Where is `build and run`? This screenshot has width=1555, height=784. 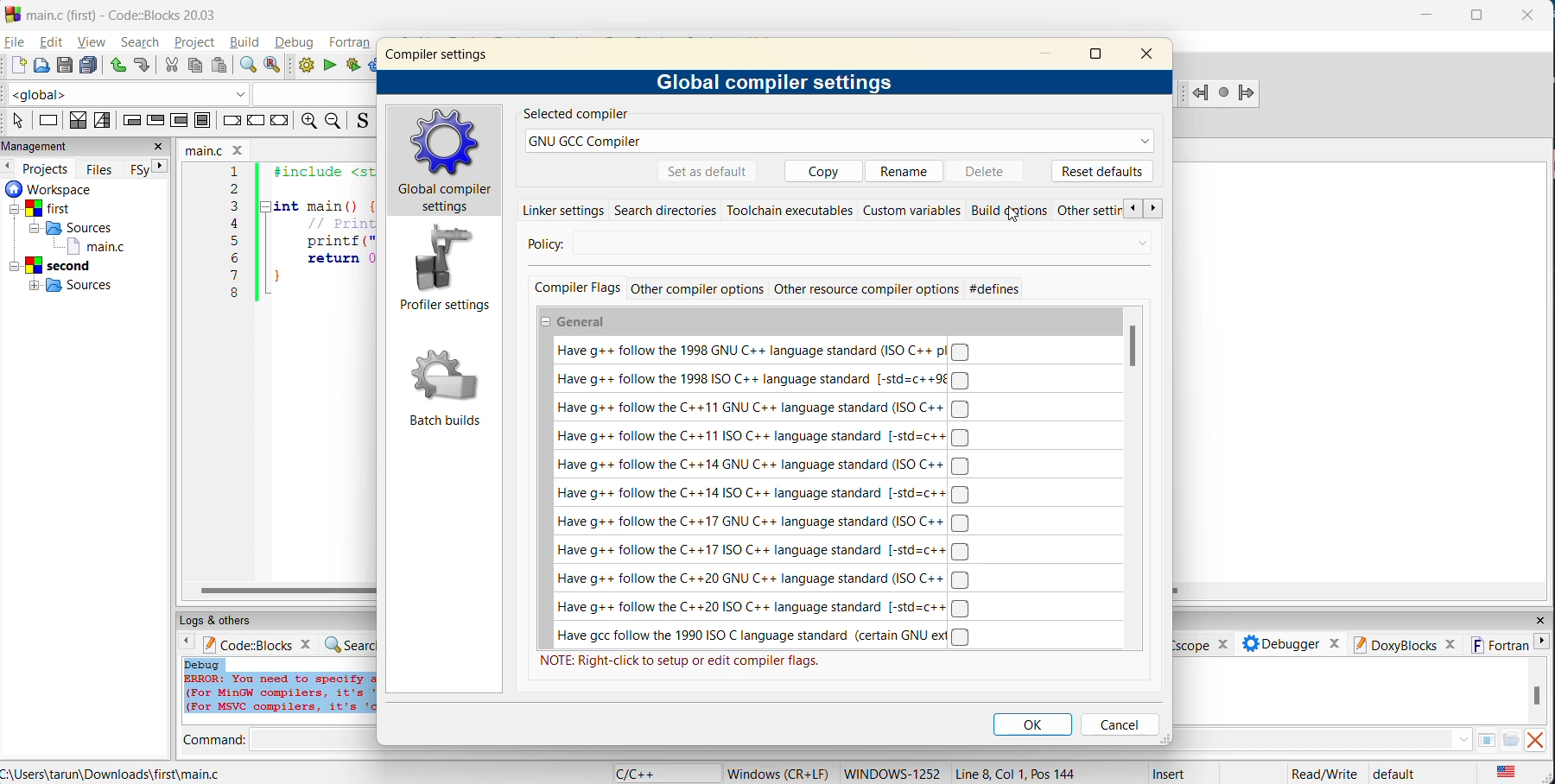 build and run is located at coordinates (354, 65).